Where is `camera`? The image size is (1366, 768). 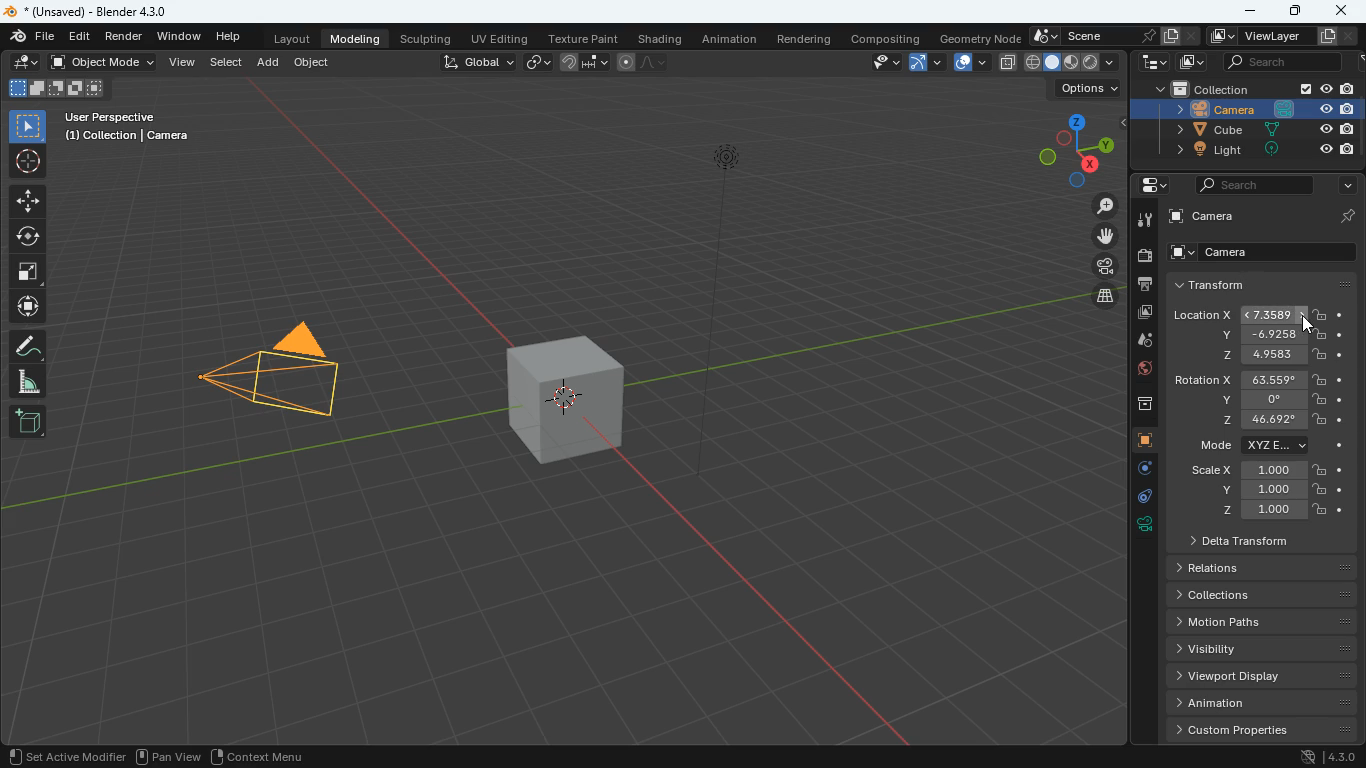
camera is located at coordinates (1249, 217).